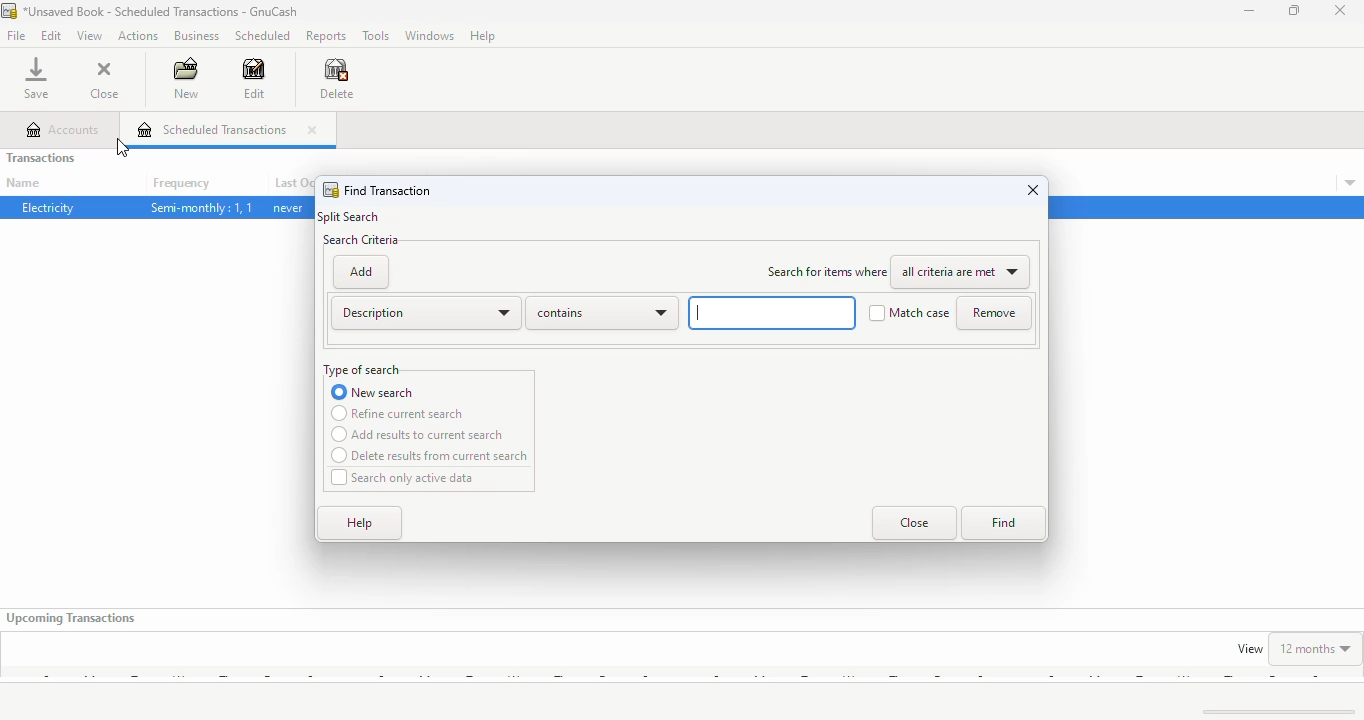 Image resolution: width=1364 pixels, height=720 pixels. What do you see at coordinates (1293, 10) in the screenshot?
I see `maximize` at bounding box center [1293, 10].